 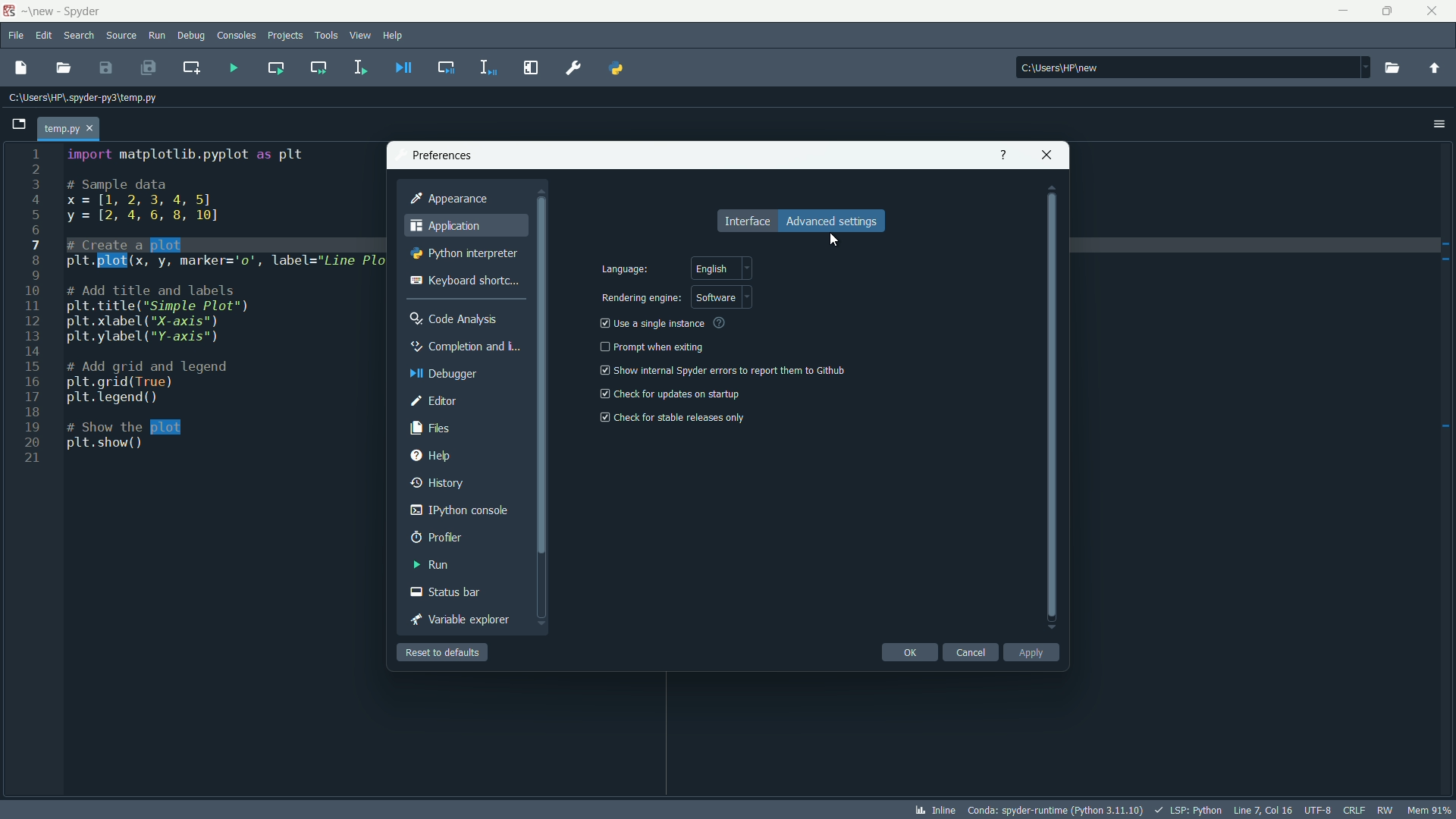 I want to click on files, so click(x=430, y=428).